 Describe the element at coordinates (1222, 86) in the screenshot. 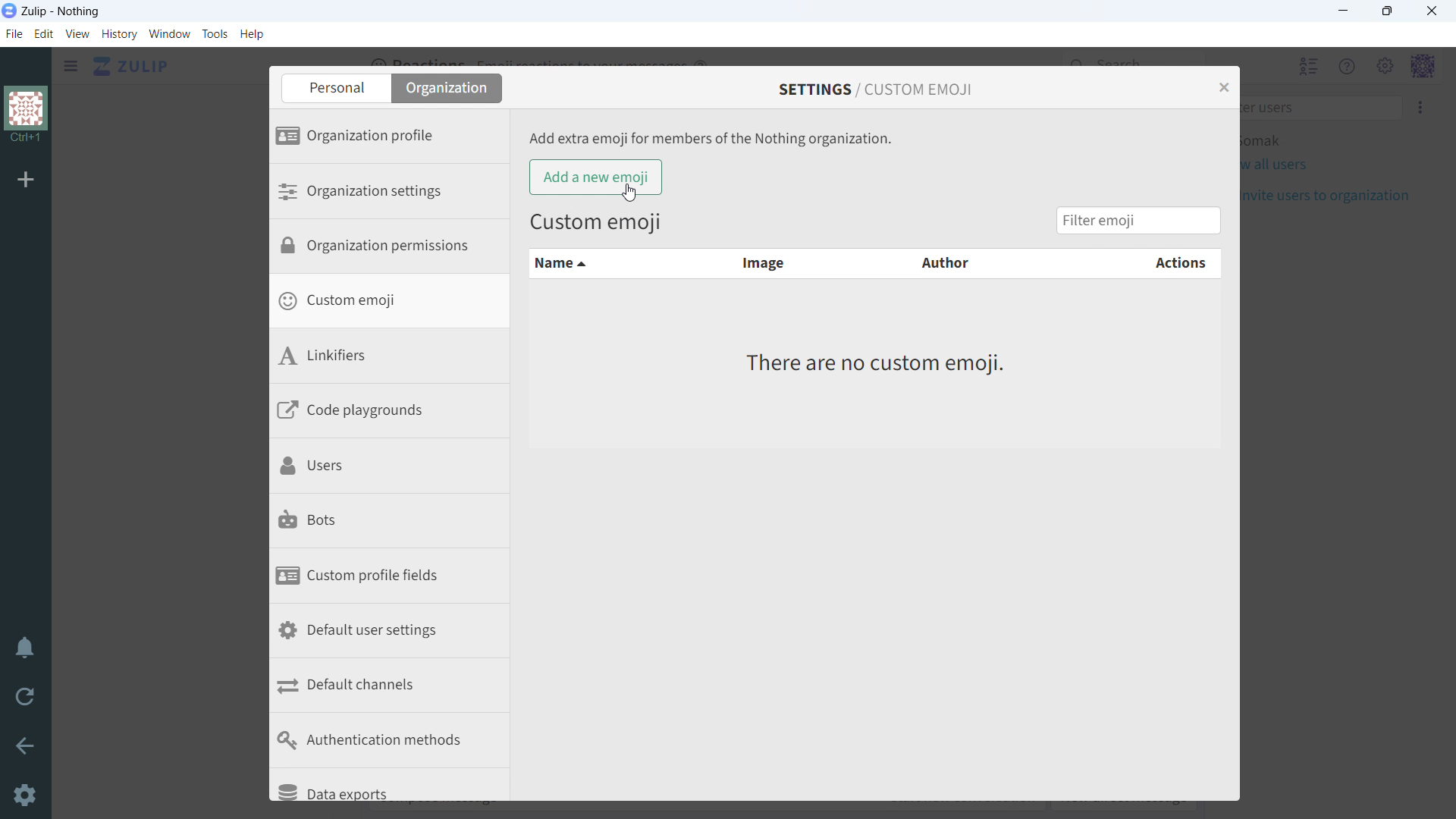

I see `close` at that location.